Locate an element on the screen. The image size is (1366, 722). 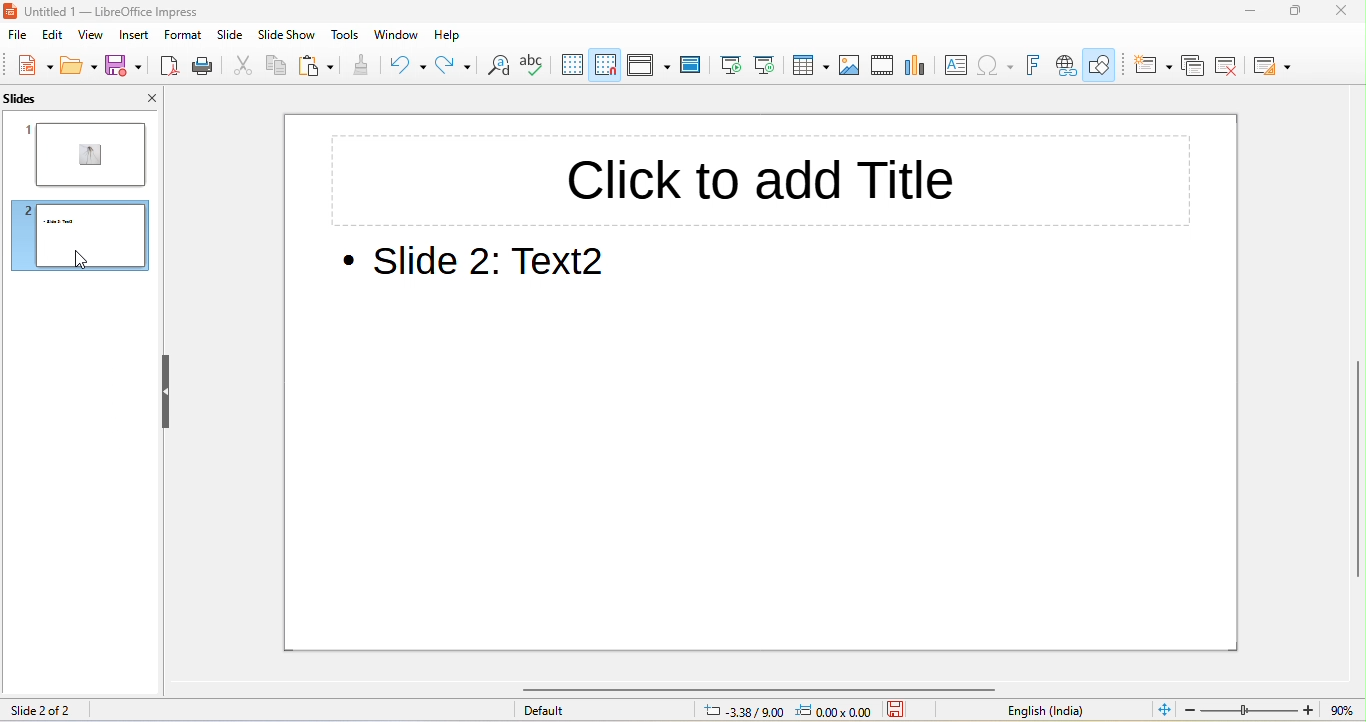
tools is located at coordinates (346, 37).